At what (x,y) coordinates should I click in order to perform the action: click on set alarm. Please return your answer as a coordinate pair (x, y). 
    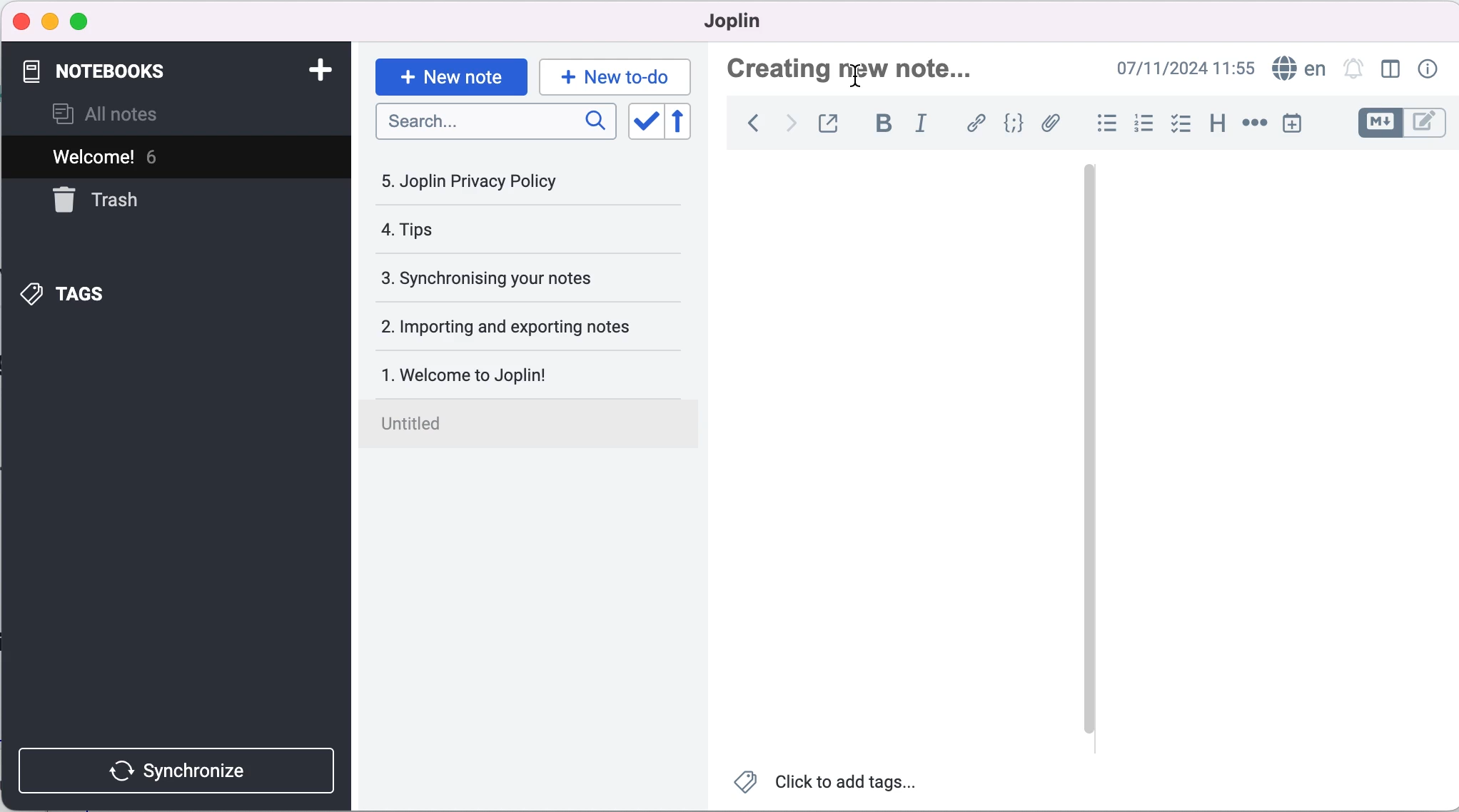
    Looking at the image, I should click on (1353, 70).